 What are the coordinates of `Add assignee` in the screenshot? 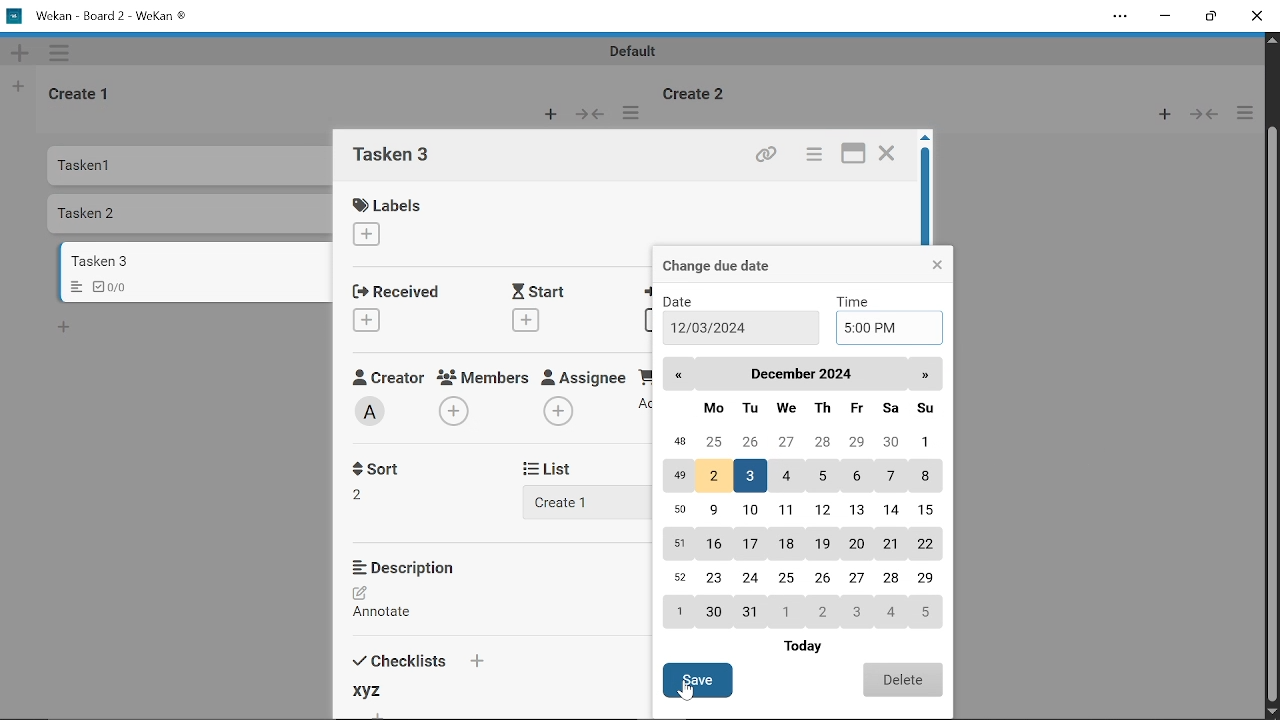 It's located at (558, 412).